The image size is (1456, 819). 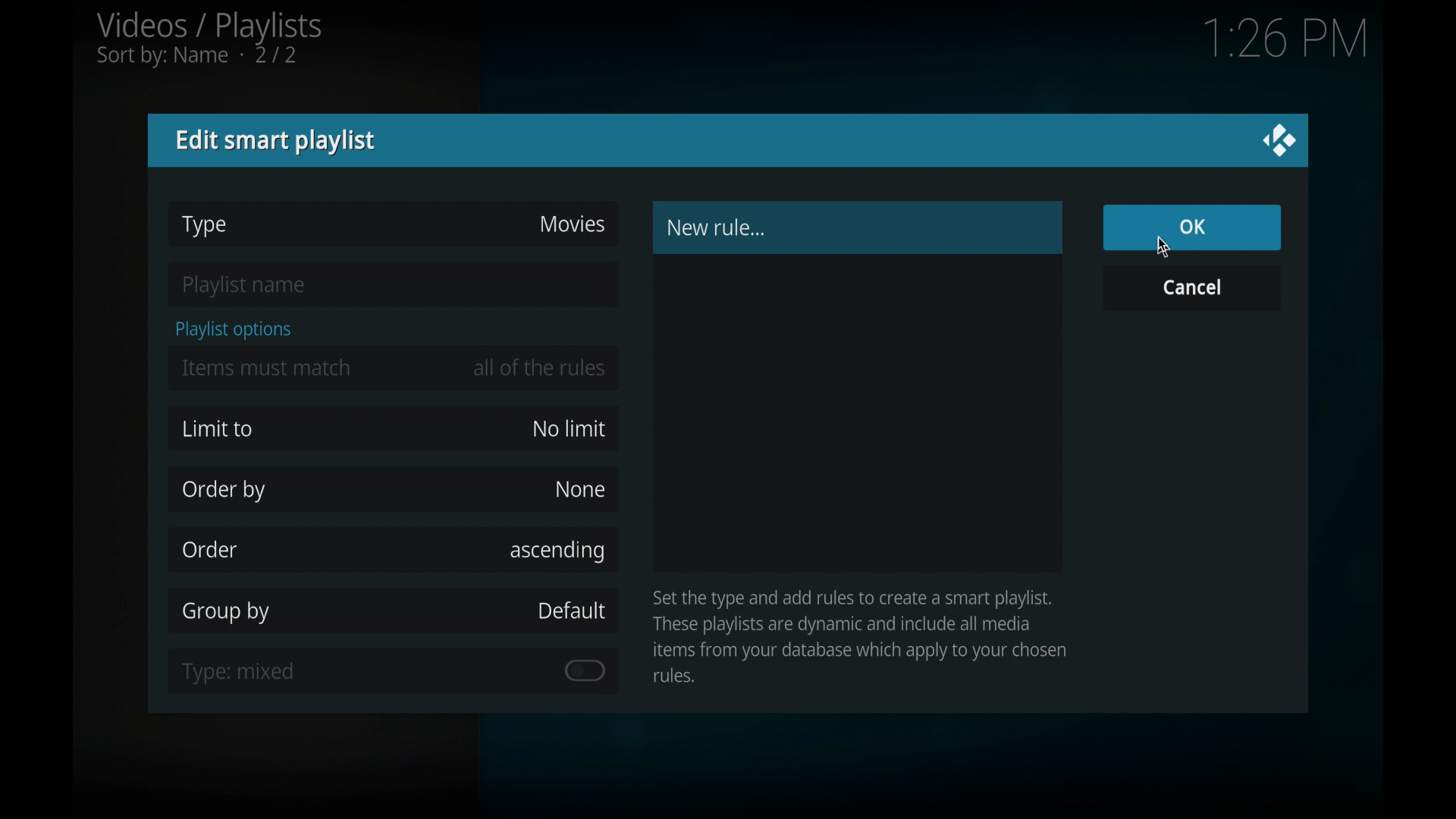 I want to click on toggle button, so click(x=585, y=670).